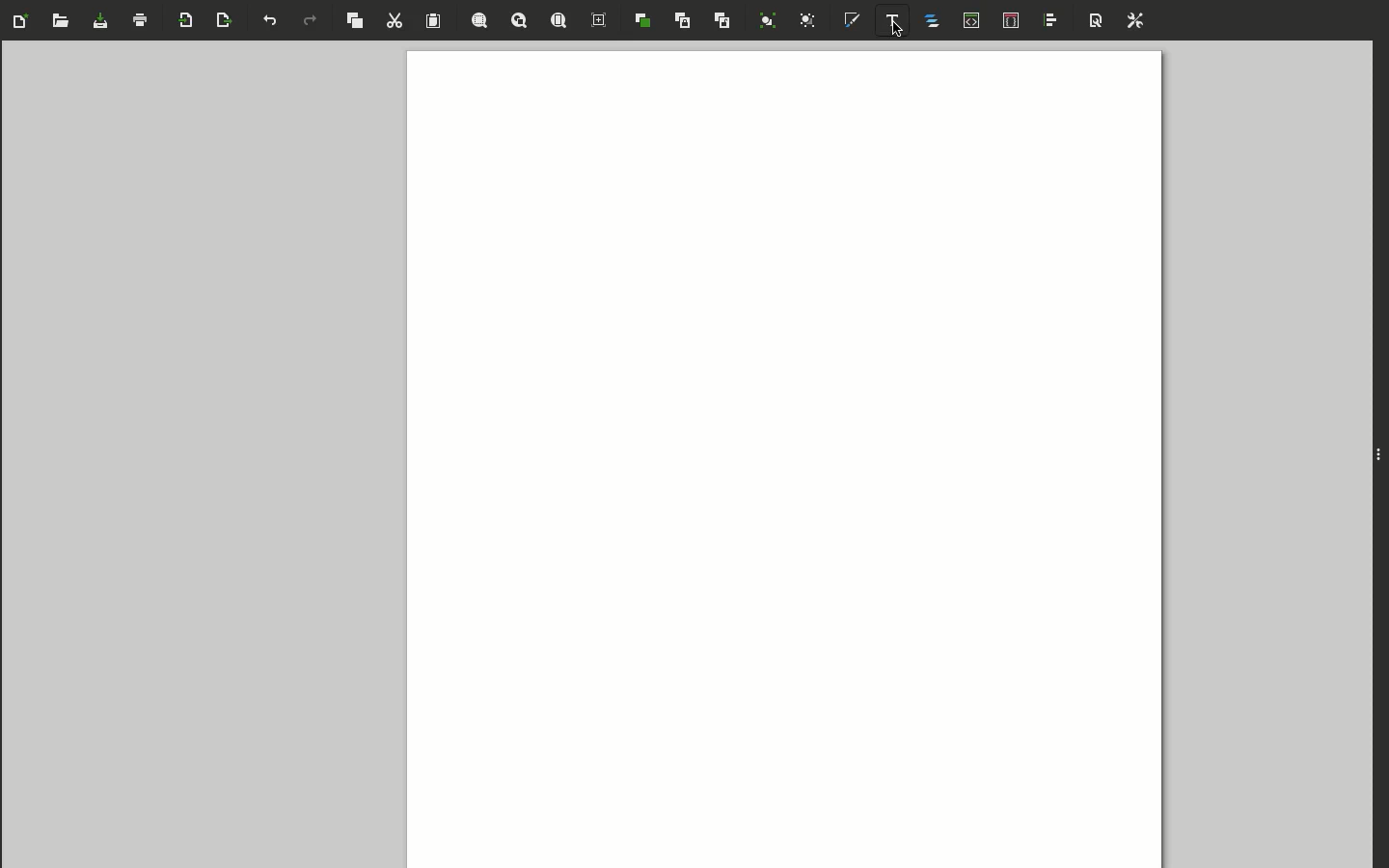  Describe the element at coordinates (600, 21) in the screenshot. I see `Zoom center page` at that location.